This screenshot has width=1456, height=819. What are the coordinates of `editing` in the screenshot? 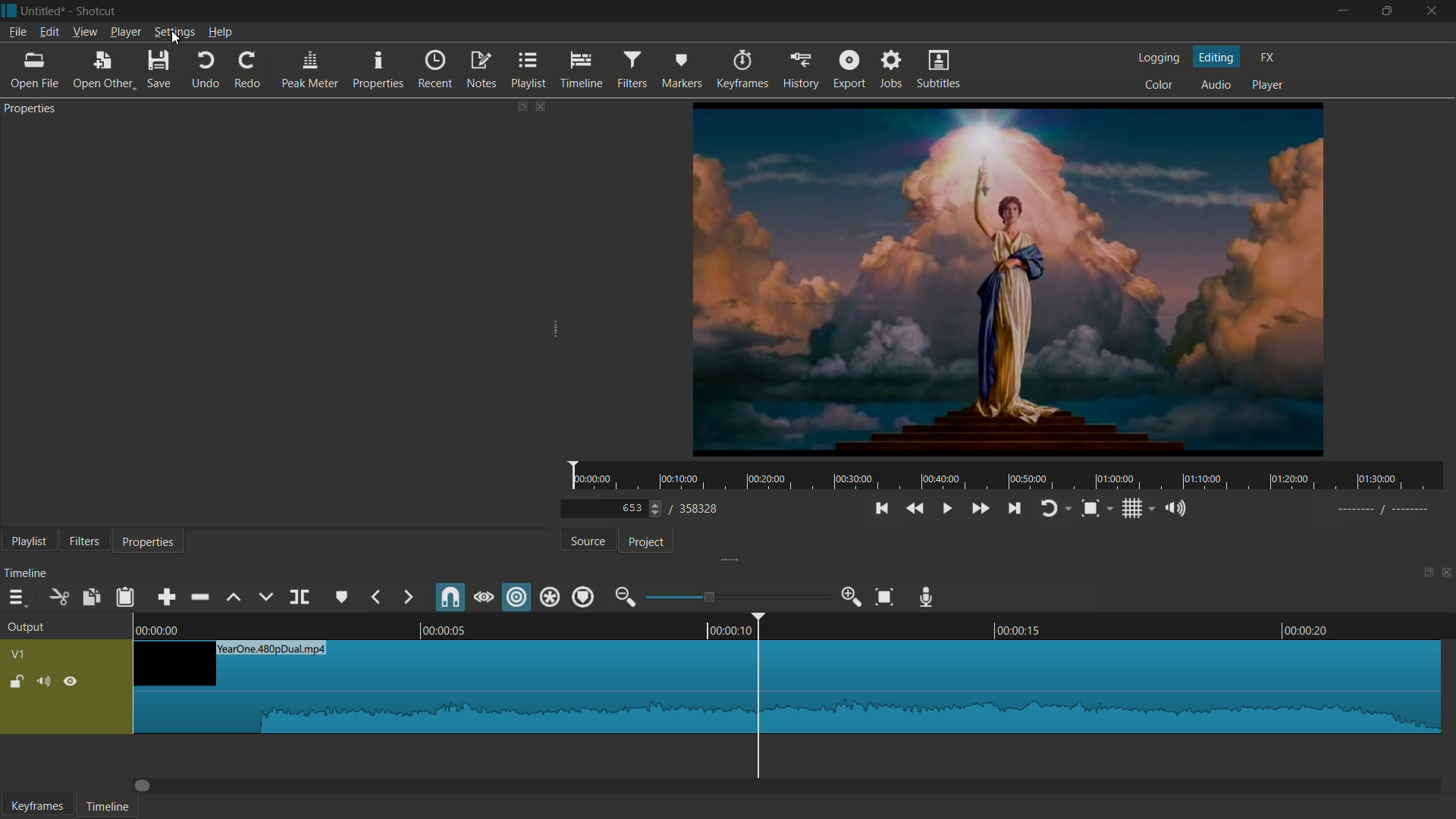 It's located at (1216, 56).